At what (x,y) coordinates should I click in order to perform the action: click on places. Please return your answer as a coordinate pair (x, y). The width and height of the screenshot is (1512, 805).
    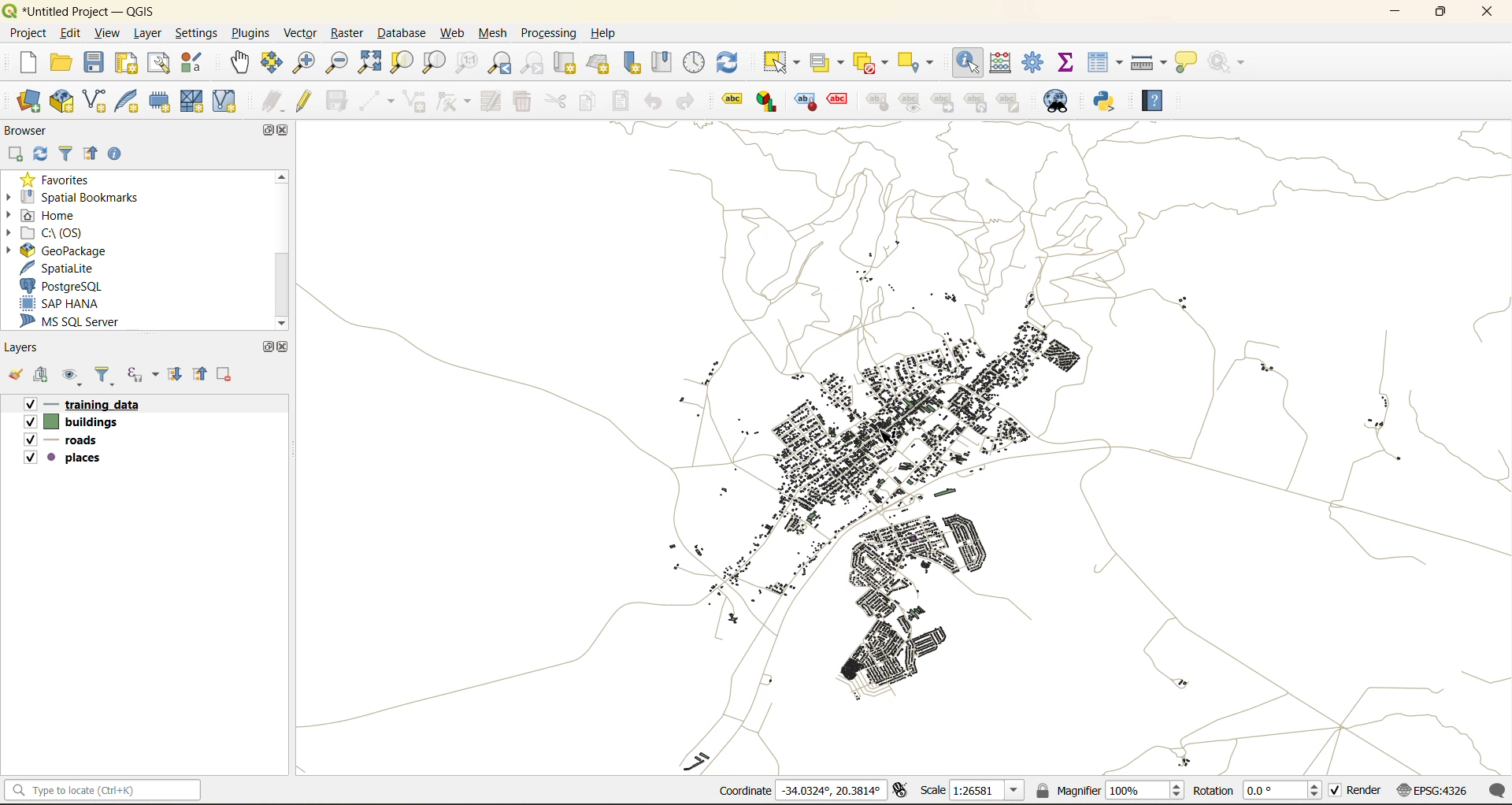
    Looking at the image, I should click on (67, 460).